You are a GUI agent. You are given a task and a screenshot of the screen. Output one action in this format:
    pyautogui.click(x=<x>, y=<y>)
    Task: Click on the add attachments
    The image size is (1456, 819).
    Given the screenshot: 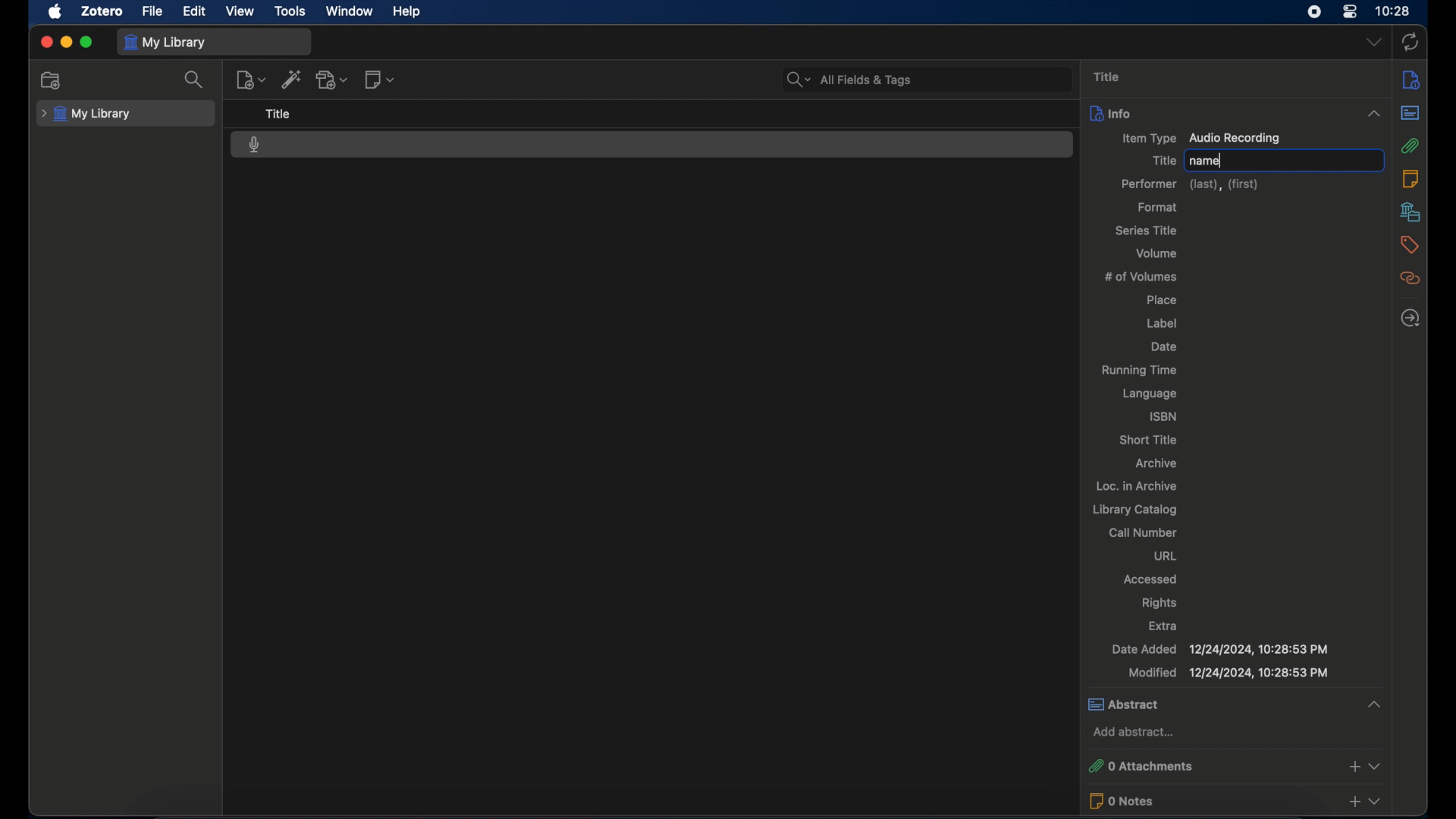 What is the action you would take?
    pyautogui.click(x=332, y=80)
    